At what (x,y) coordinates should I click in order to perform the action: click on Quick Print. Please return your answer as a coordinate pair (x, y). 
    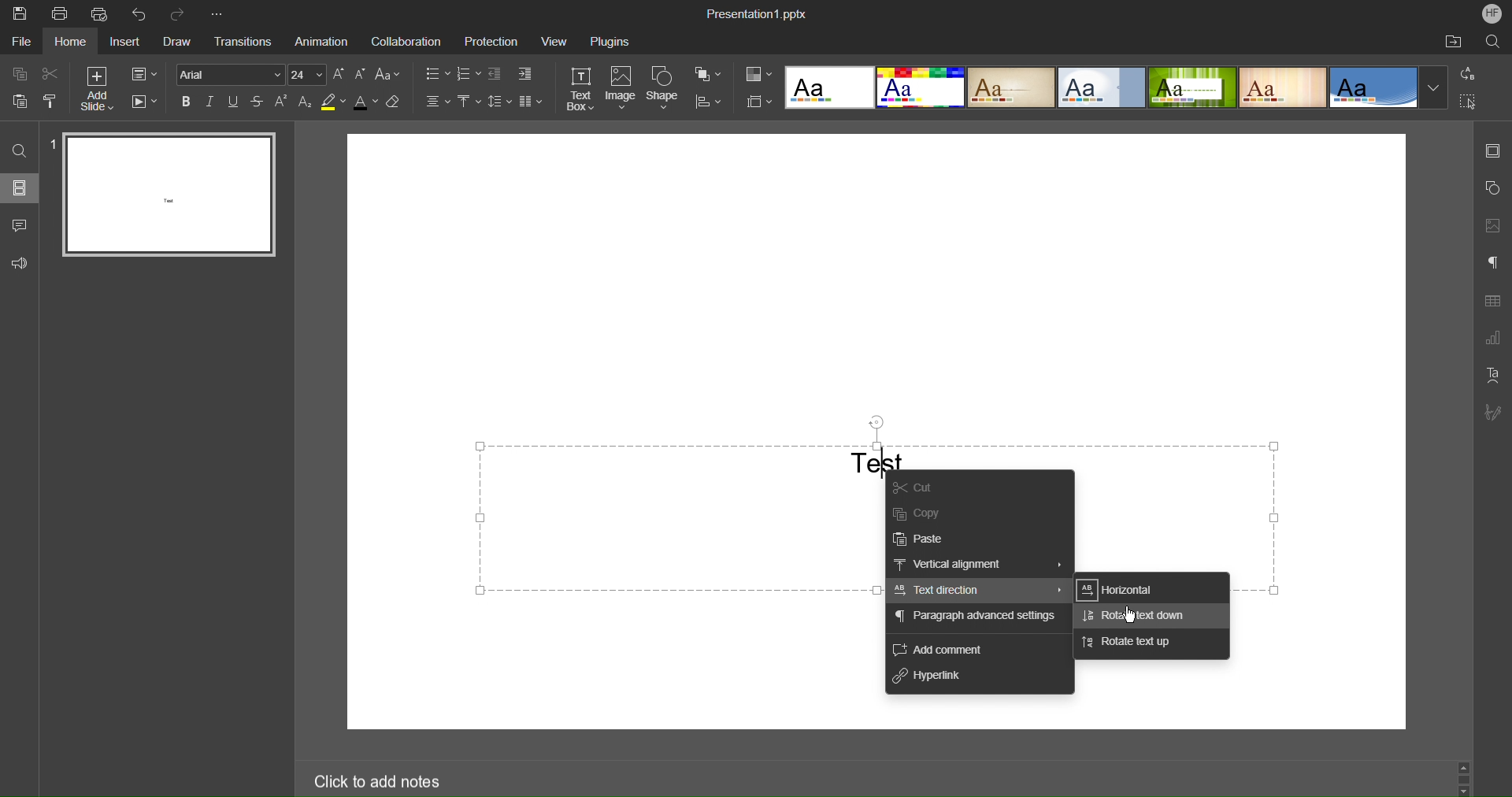
    Looking at the image, I should click on (102, 13).